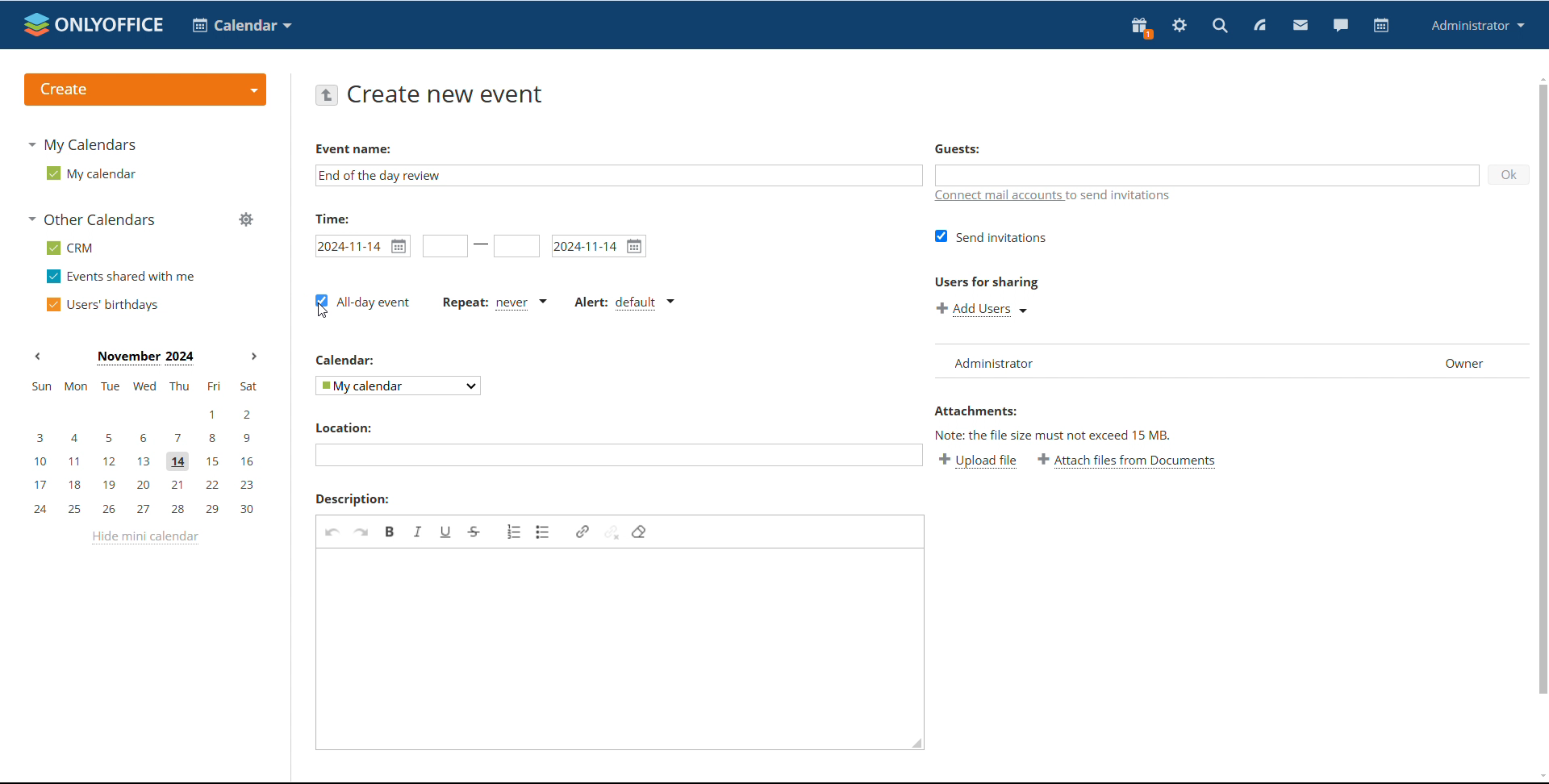 This screenshot has height=784, width=1549. What do you see at coordinates (144, 537) in the screenshot?
I see `hide mini calendar` at bounding box center [144, 537].